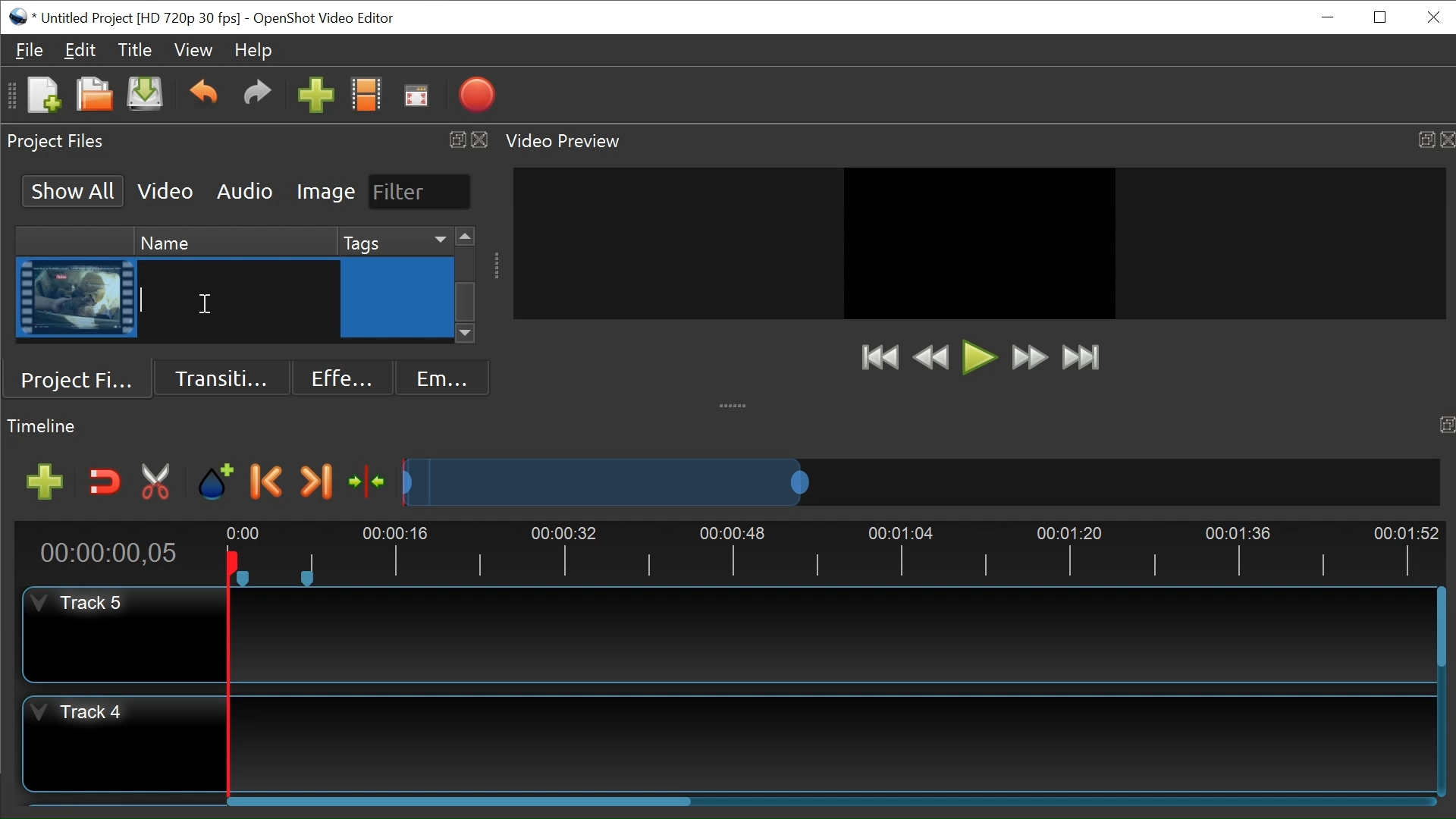  I want to click on Previous marker, so click(269, 484).